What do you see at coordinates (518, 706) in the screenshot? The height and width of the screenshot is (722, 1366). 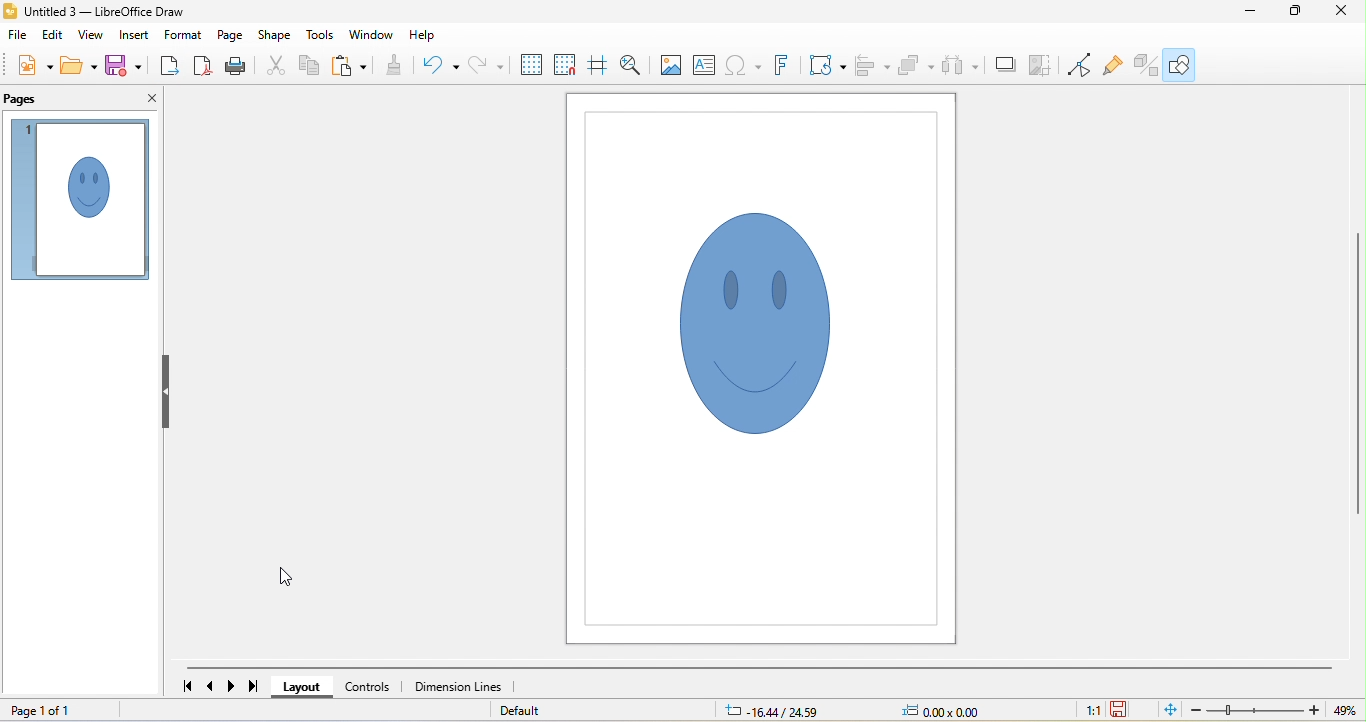 I see `default` at bounding box center [518, 706].